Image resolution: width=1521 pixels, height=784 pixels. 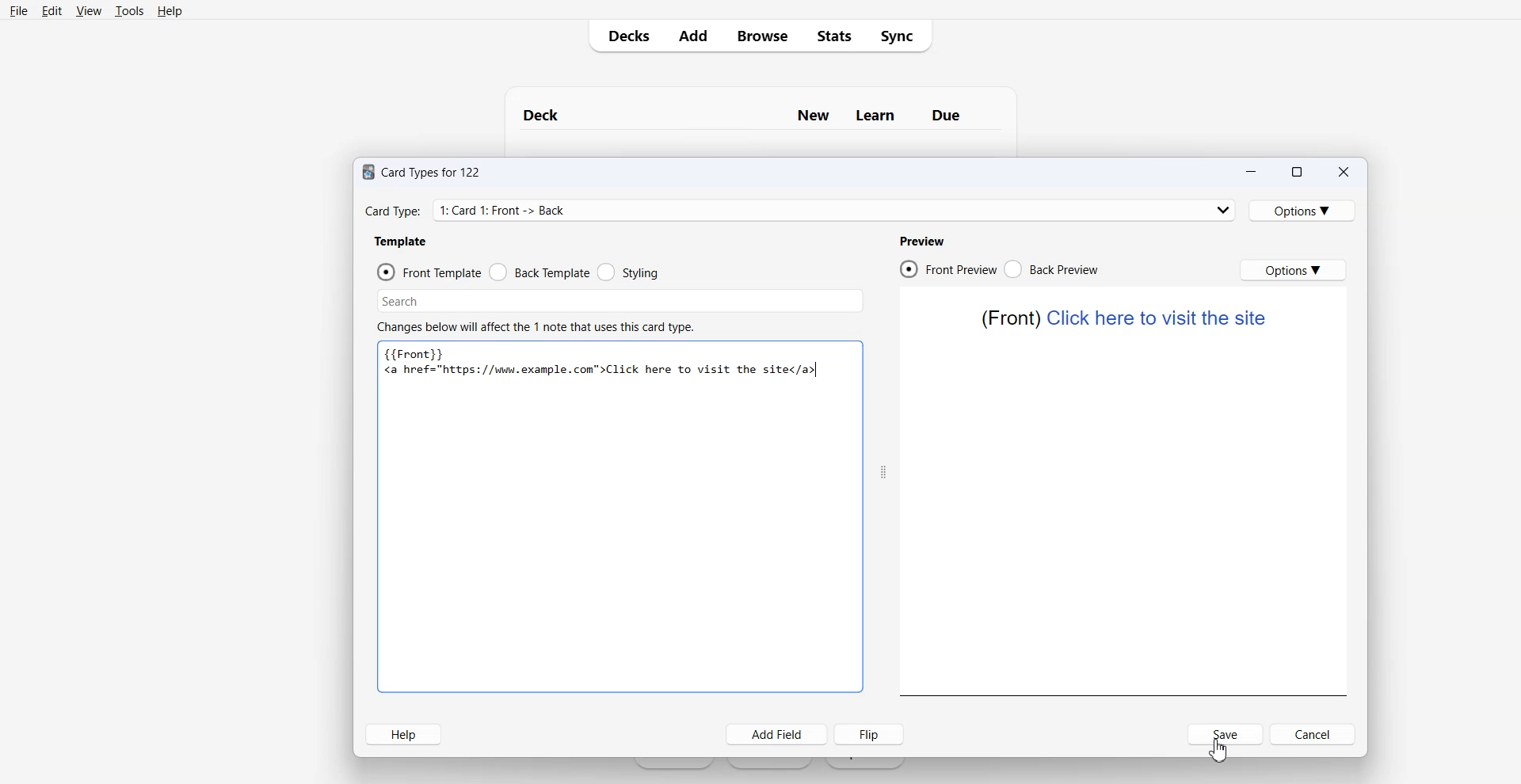 I want to click on Card type, so click(x=799, y=209).